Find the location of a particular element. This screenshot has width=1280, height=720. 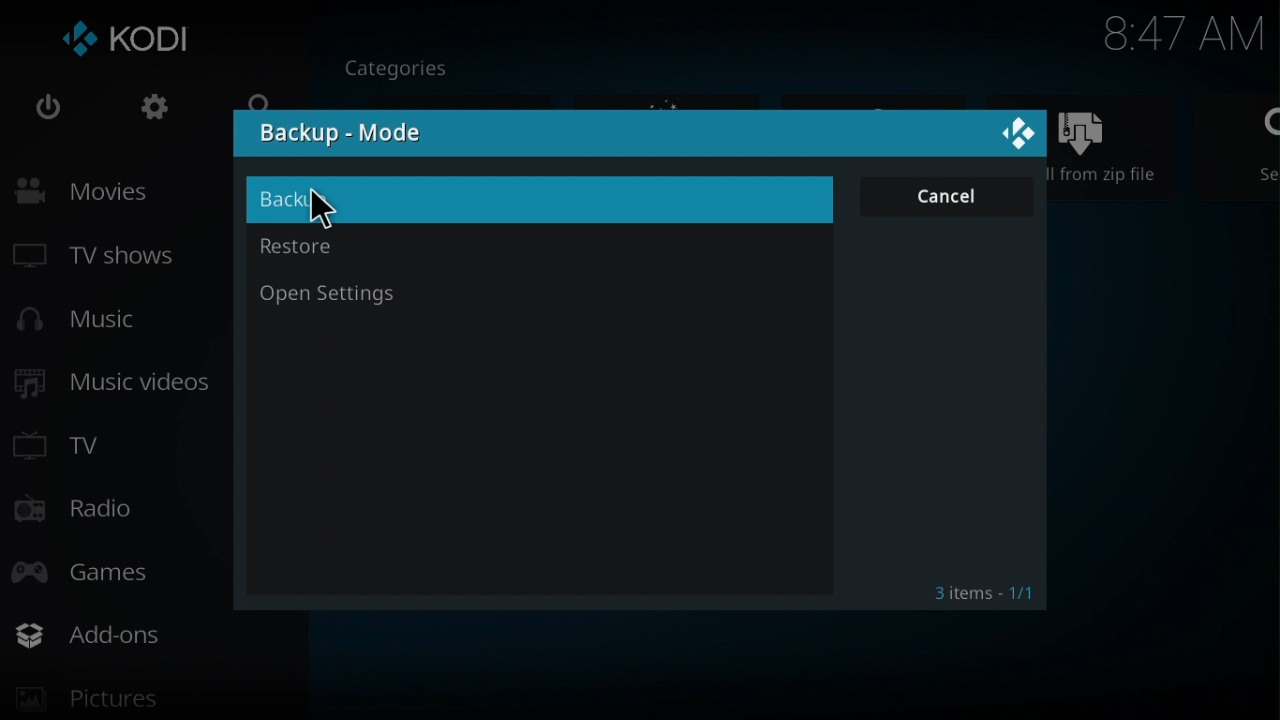

Movies is located at coordinates (128, 191).